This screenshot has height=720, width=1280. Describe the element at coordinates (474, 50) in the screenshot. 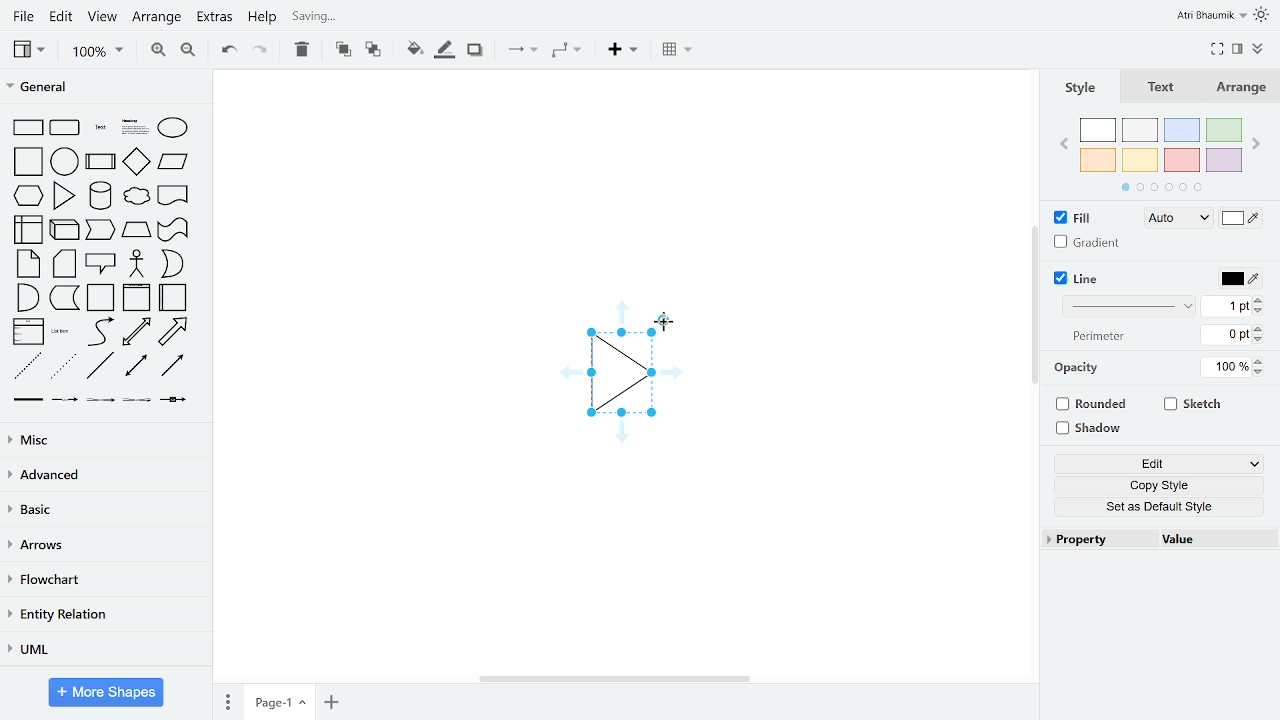

I see `shadow` at that location.